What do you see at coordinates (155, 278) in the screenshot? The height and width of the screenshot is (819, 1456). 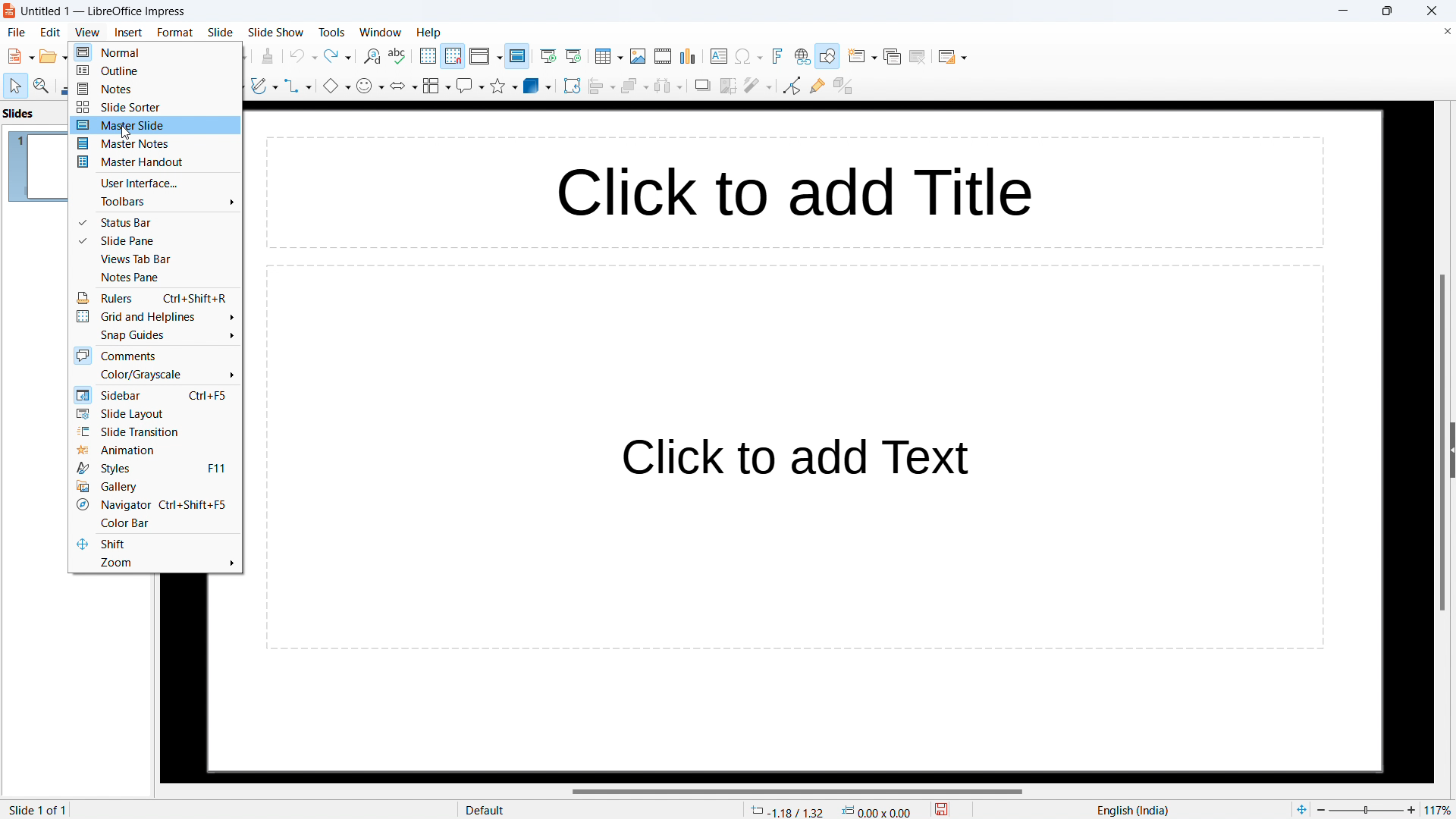 I see `notes pane` at bounding box center [155, 278].